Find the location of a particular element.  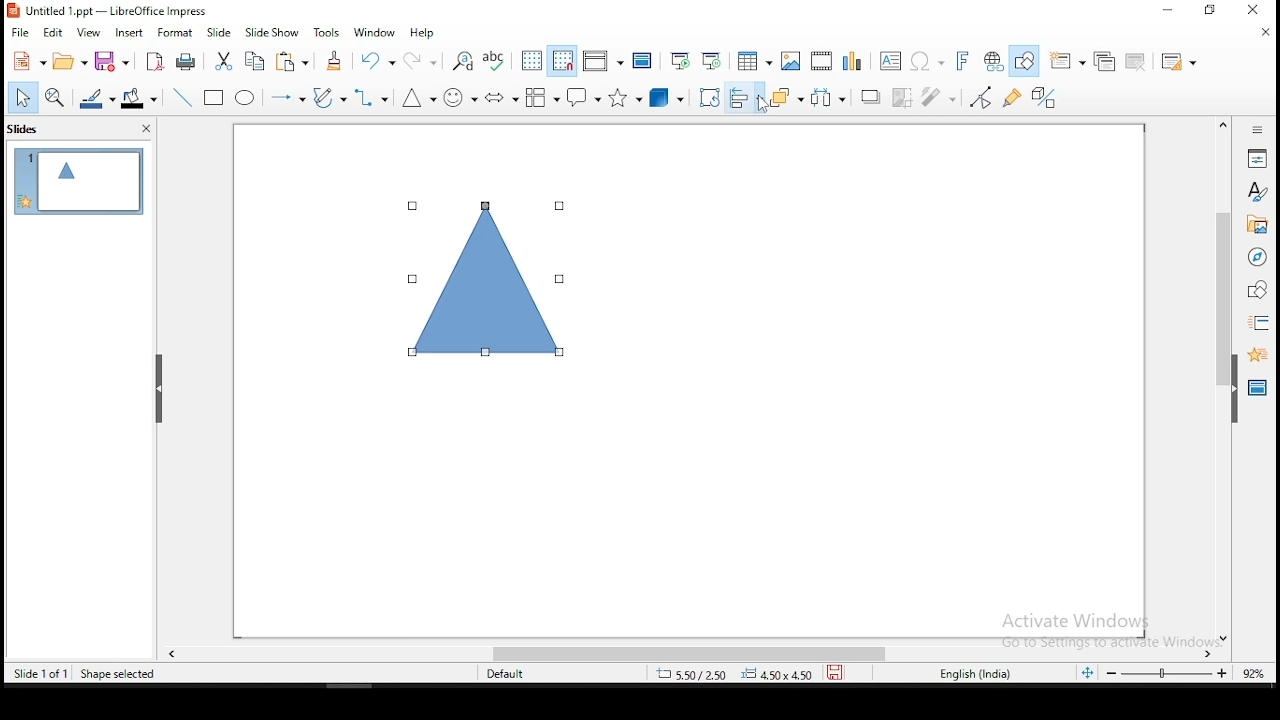

charts is located at coordinates (853, 59).